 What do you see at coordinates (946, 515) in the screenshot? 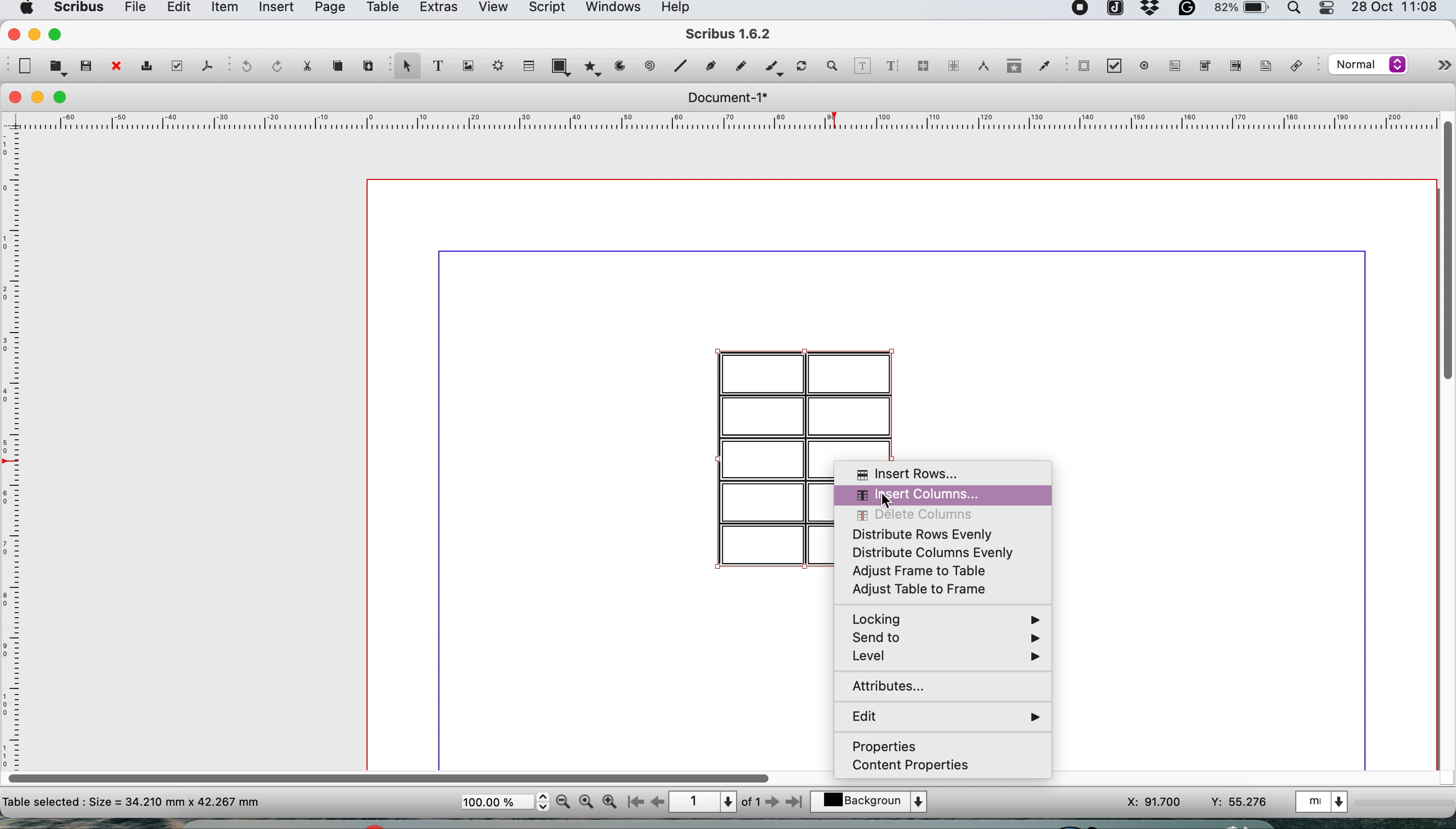
I see `delete columns` at bounding box center [946, 515].